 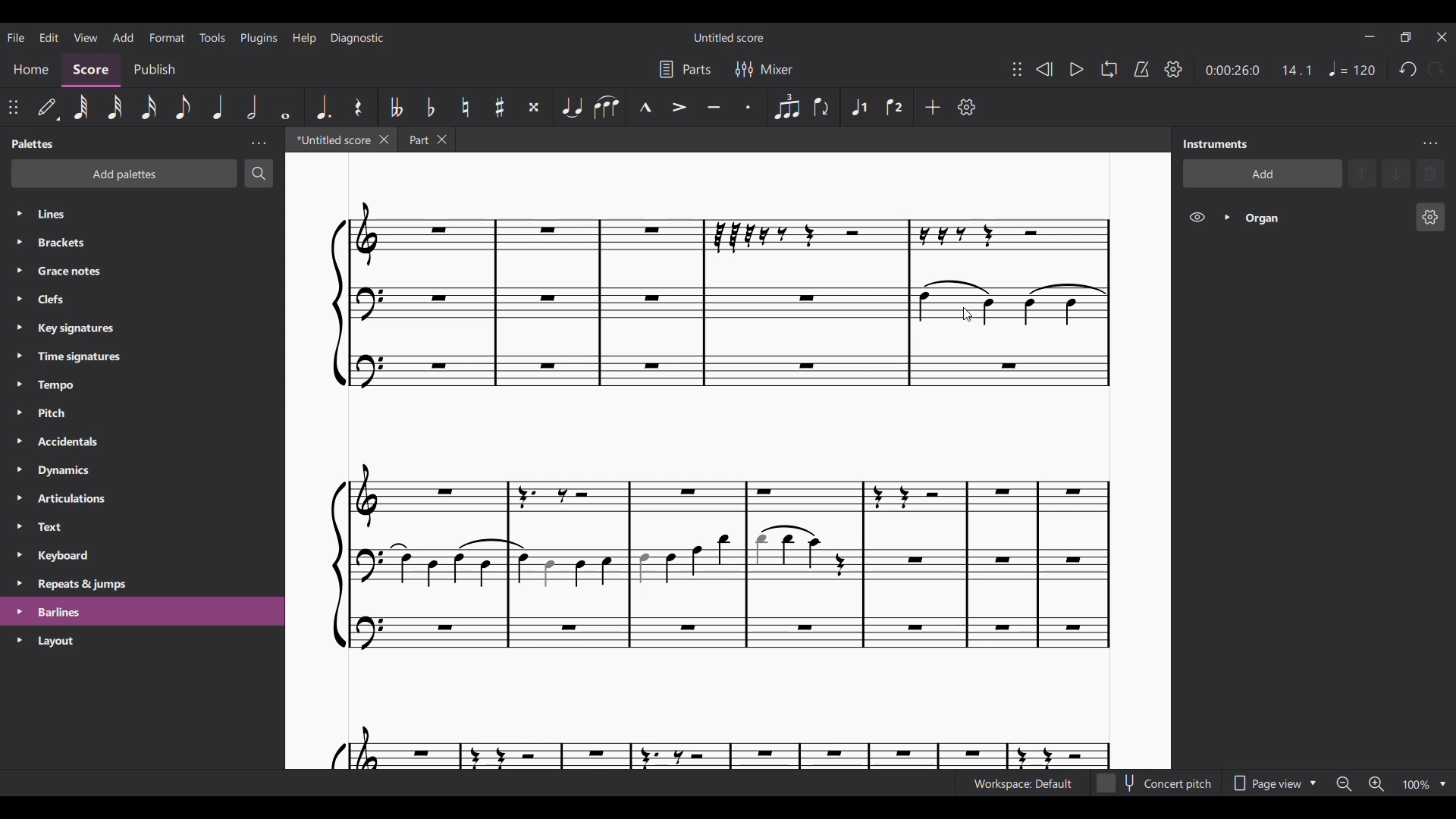 I want to click on Expand Organ, so click(x=1225, y=217).